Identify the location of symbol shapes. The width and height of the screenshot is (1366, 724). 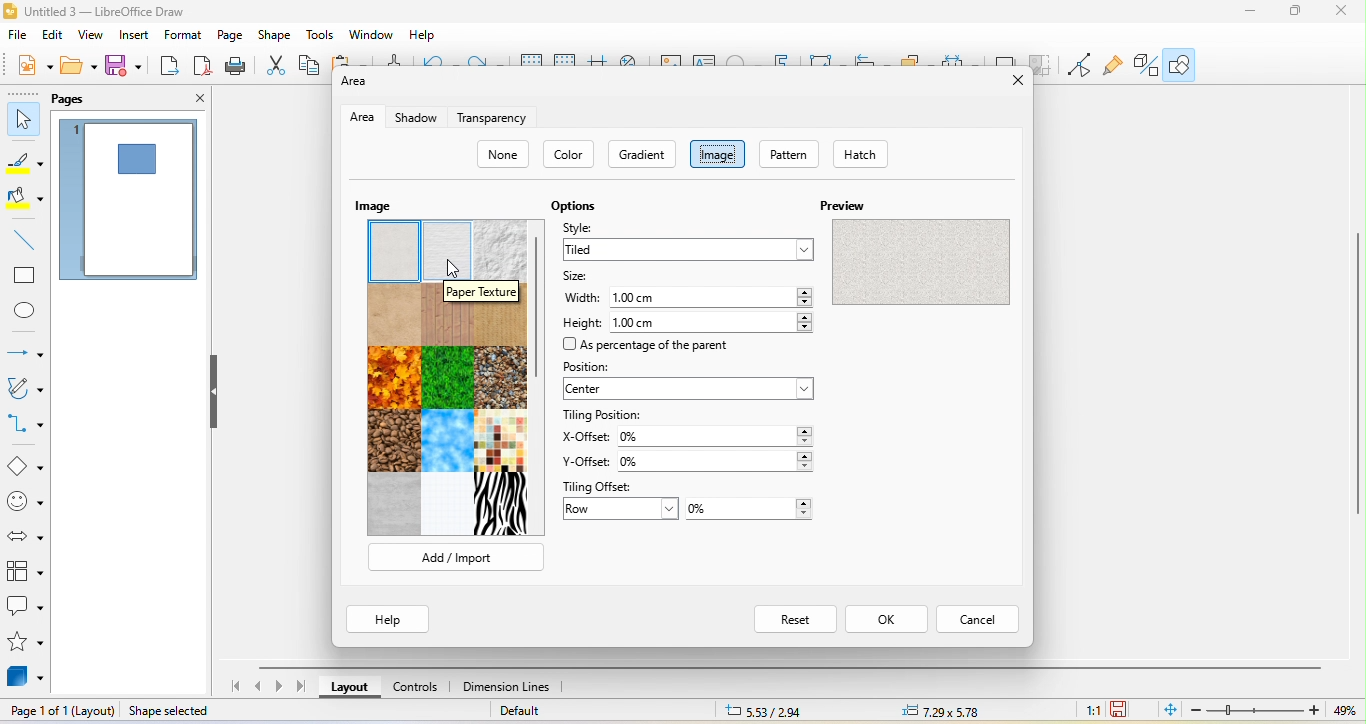
(23, 501).